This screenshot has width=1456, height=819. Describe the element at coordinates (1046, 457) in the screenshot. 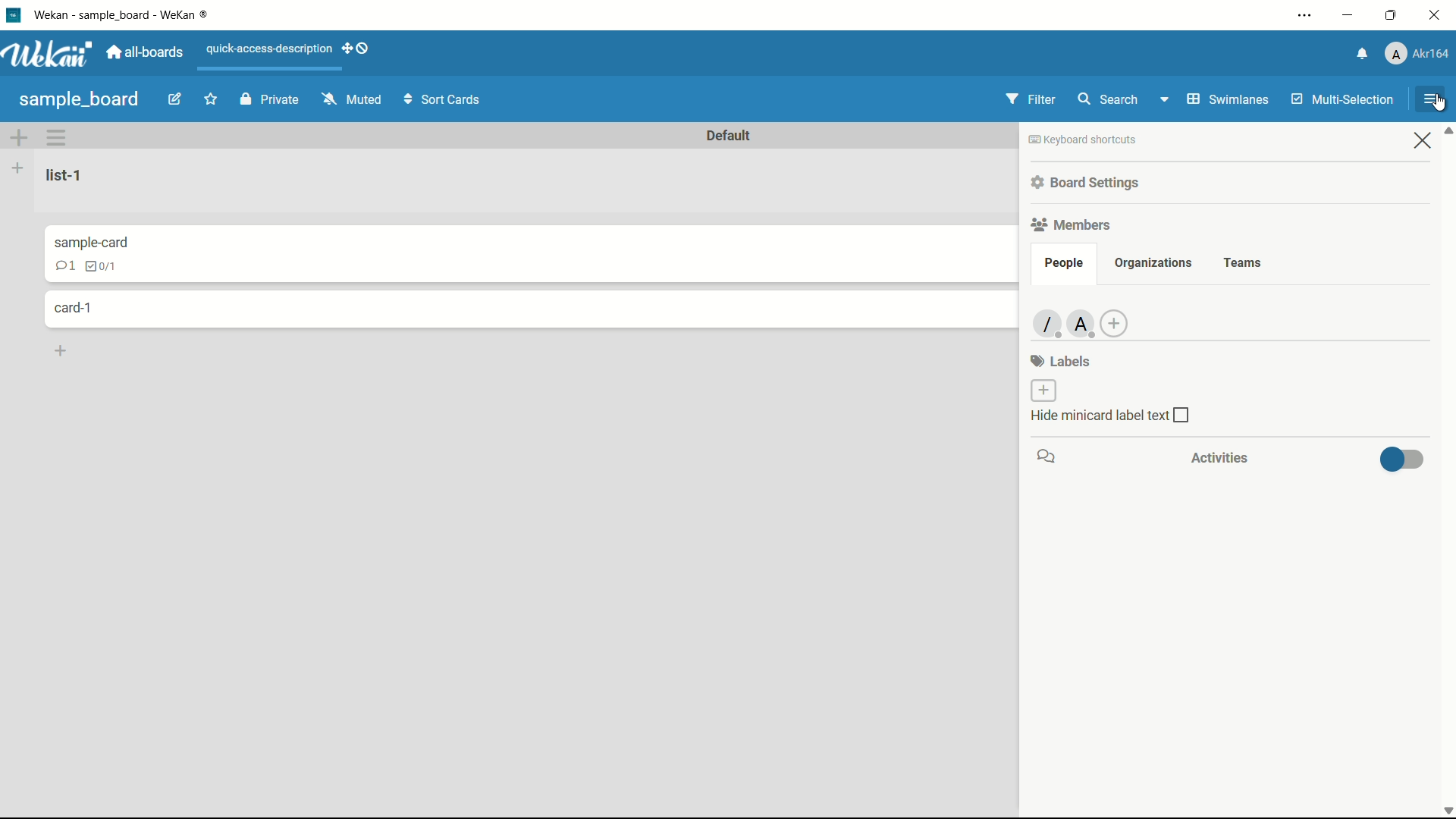

I see `icon` at that location.